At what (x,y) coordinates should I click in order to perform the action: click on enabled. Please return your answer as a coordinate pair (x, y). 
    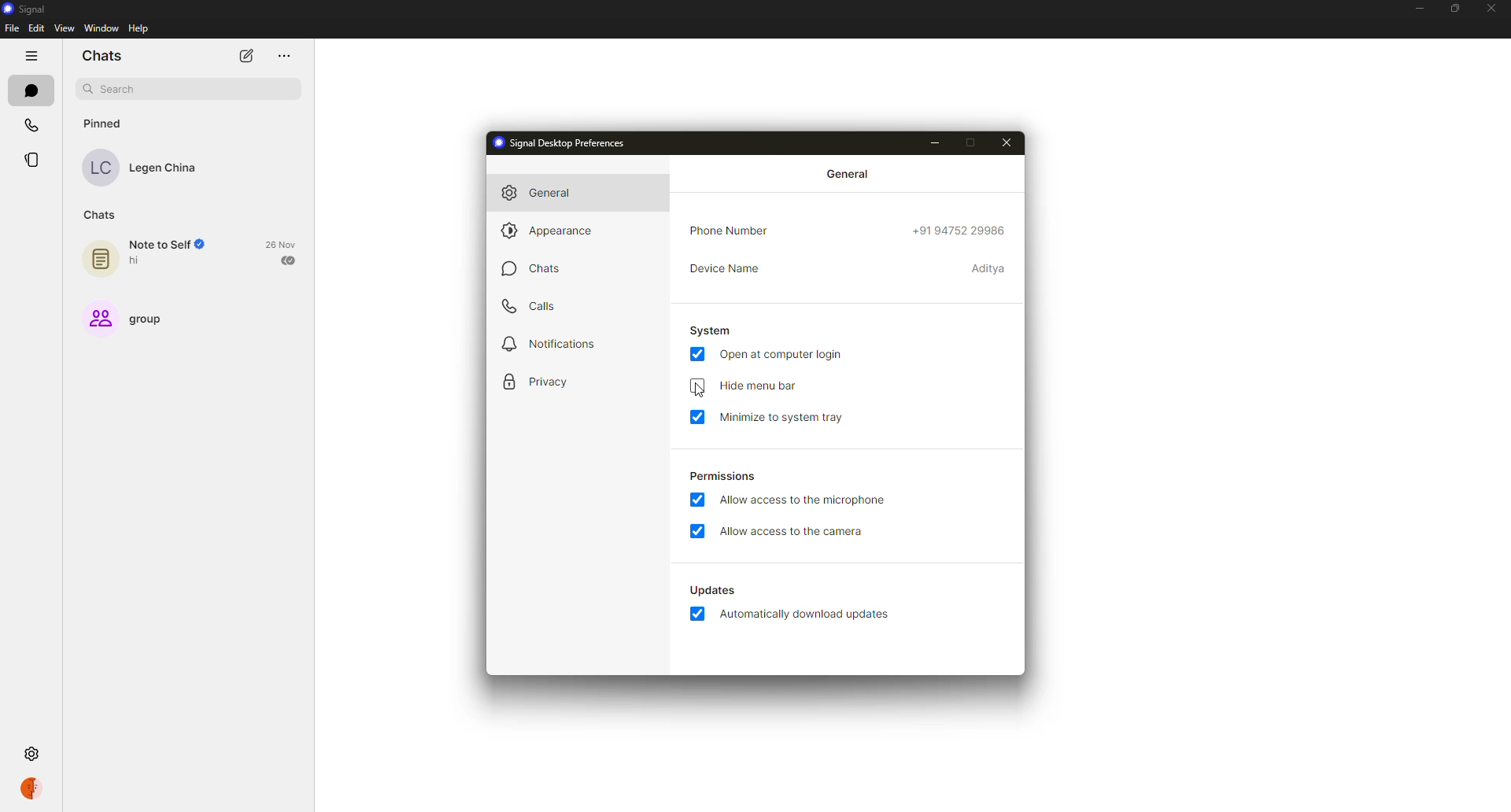
    Looking at the image, I should click on (696, 614).